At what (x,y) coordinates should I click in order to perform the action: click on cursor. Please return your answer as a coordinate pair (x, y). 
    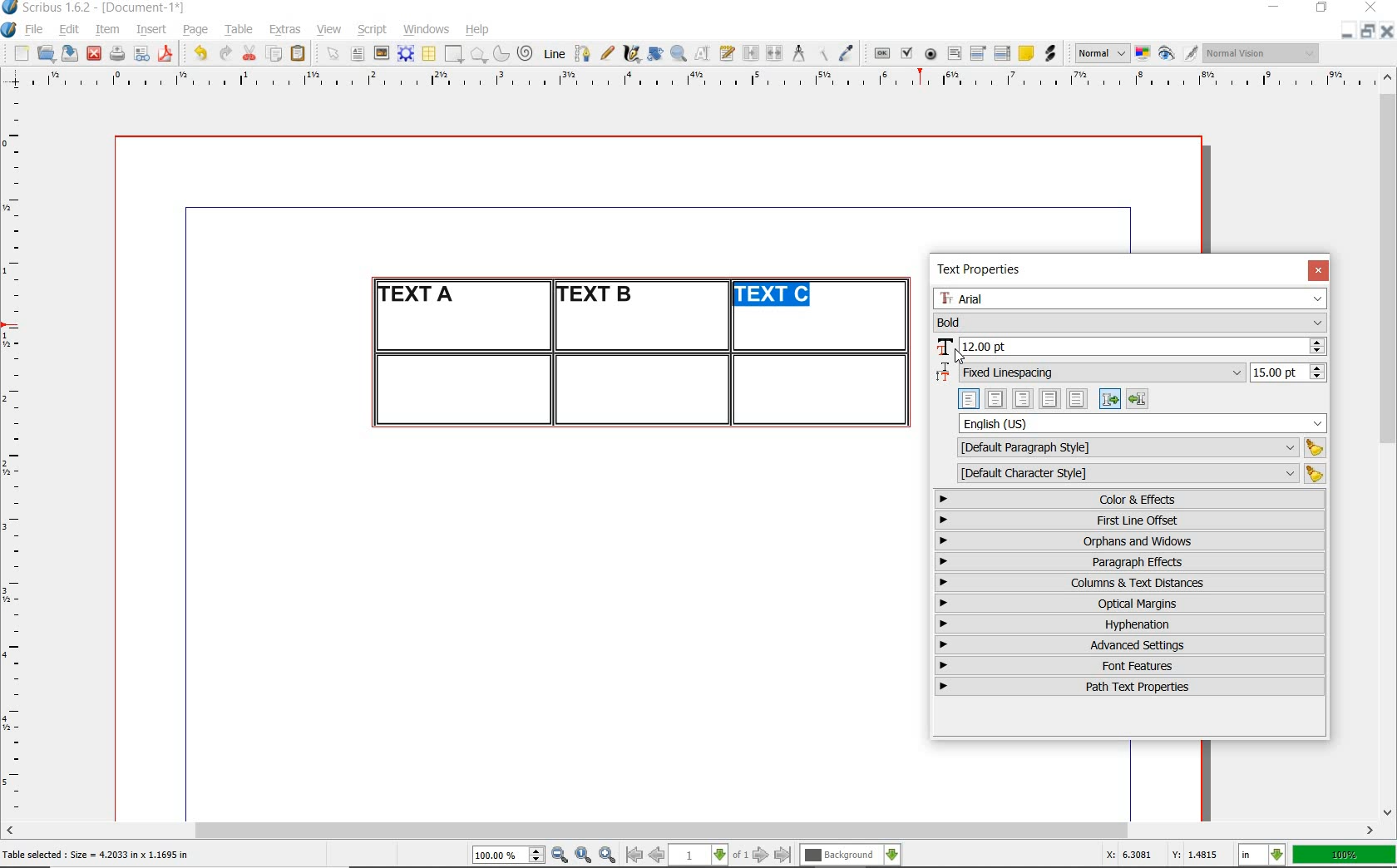
    Looking at the image, I should click on (958, 356).